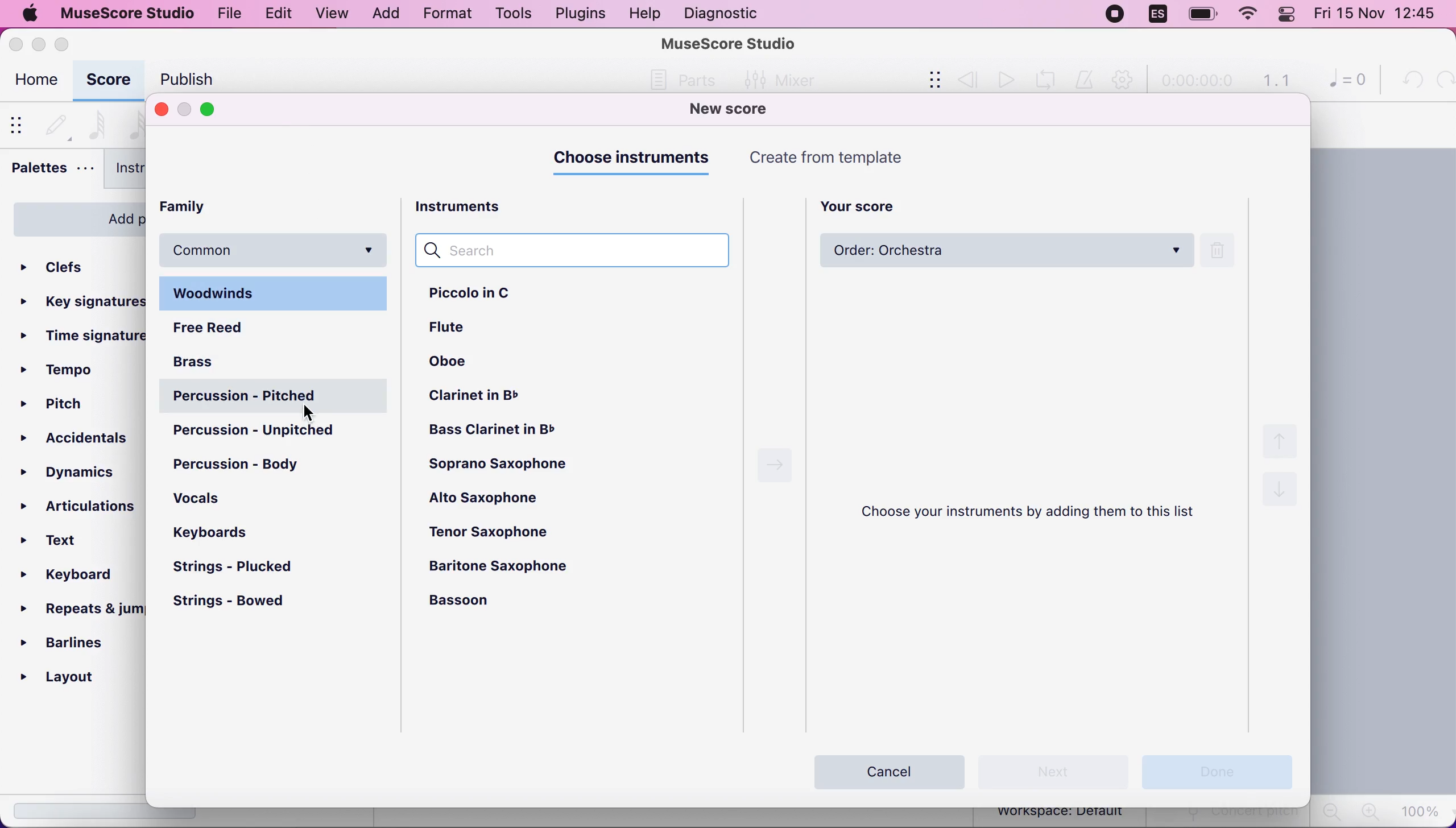  What do you see at coordinates (1049, 78) in the screenshot?
I see `playback loop` at bounding box center [1049, 78].